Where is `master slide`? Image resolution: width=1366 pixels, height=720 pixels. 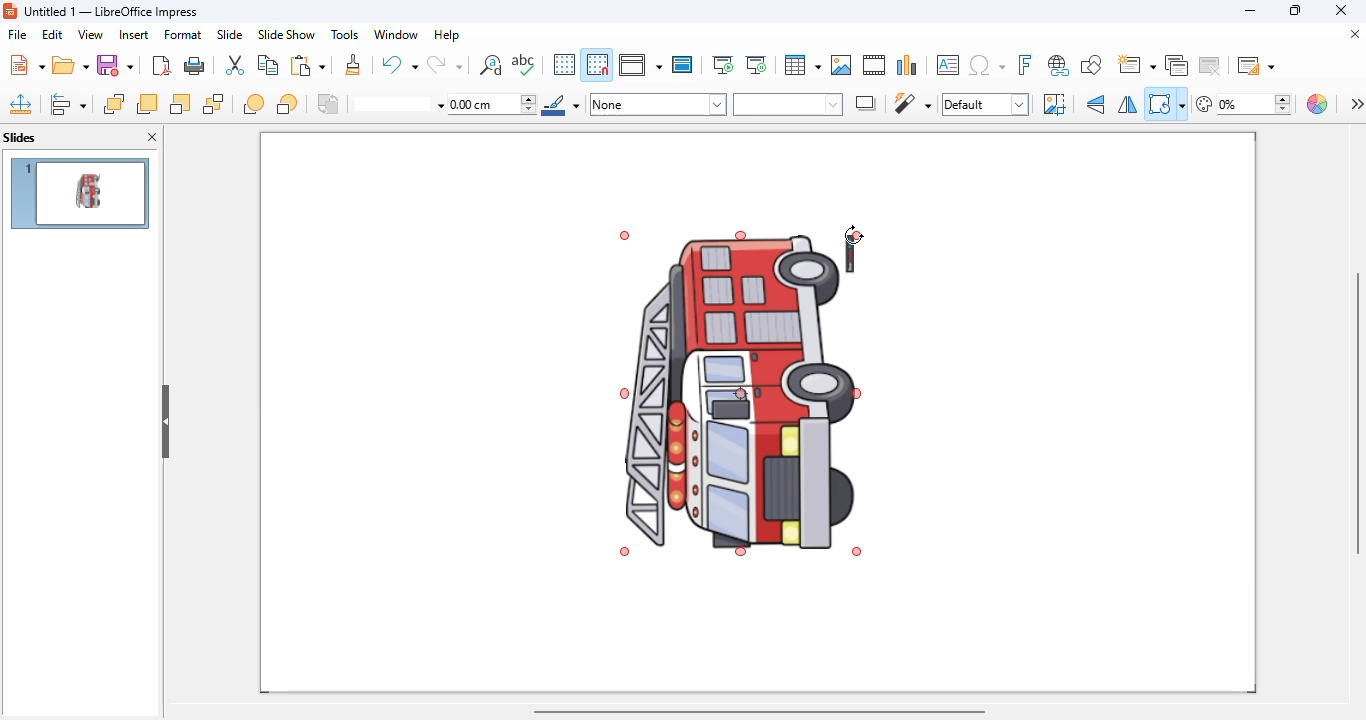
master slide is located at coordinates (683, 64).